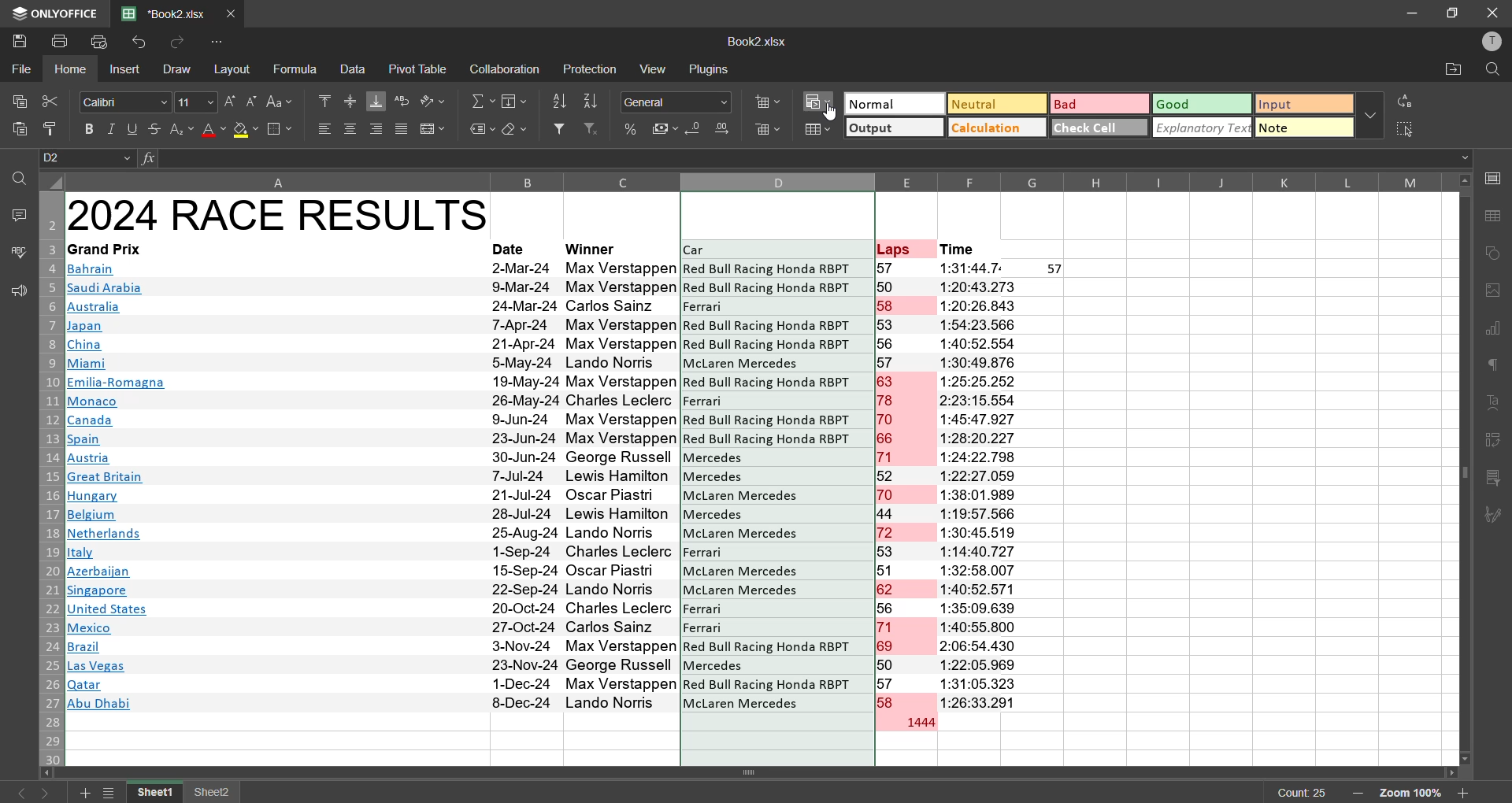 This screenshot has height=803, width=1512. I want to click on minimize, so click(1413, 13).